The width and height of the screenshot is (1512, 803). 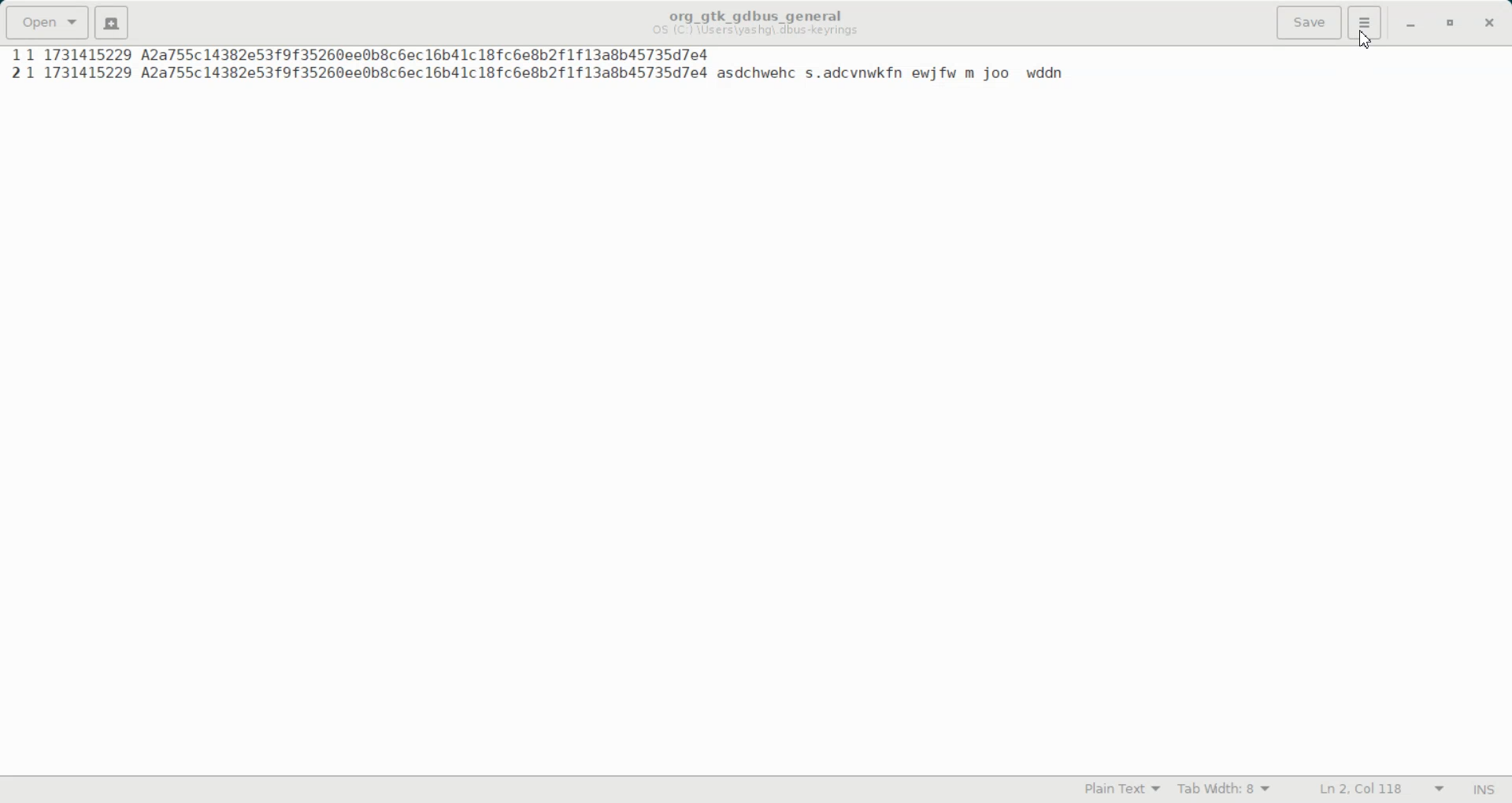 I want to click on INS, so click(x=1484, y=790).